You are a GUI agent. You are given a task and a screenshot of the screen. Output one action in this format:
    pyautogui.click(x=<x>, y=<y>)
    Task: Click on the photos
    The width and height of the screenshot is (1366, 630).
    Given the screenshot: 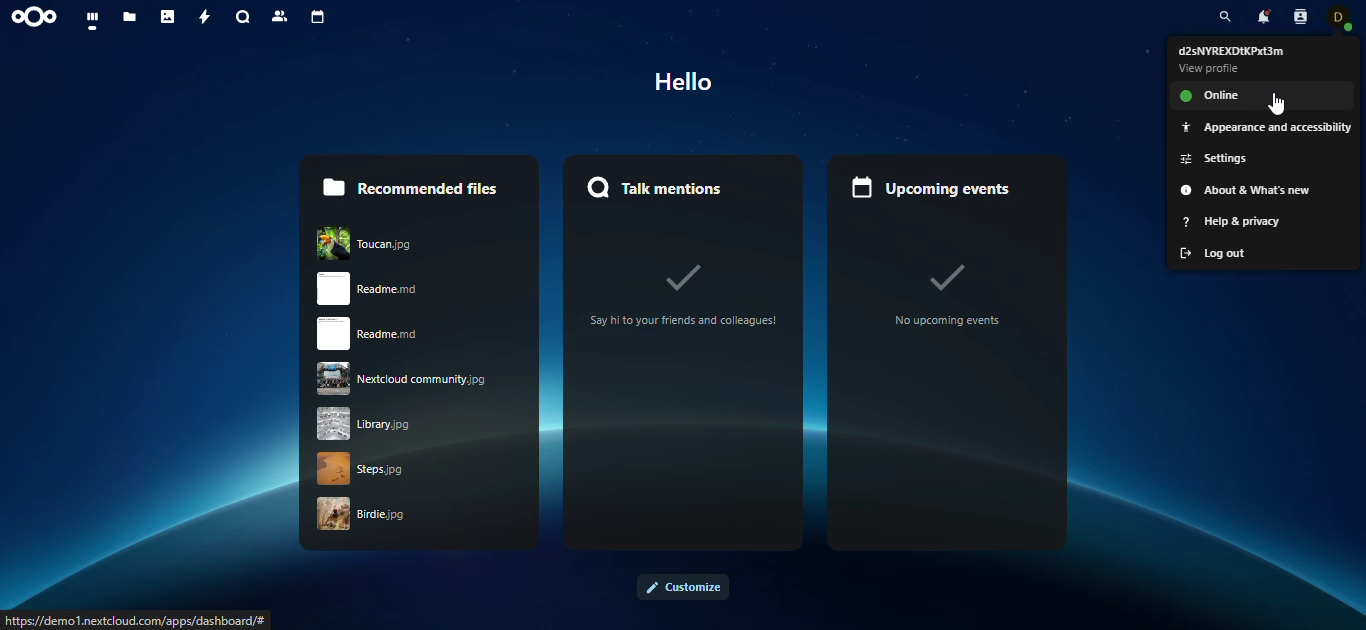 What is the action you would take?
    pyautogui.click(x=169, y=18)
    